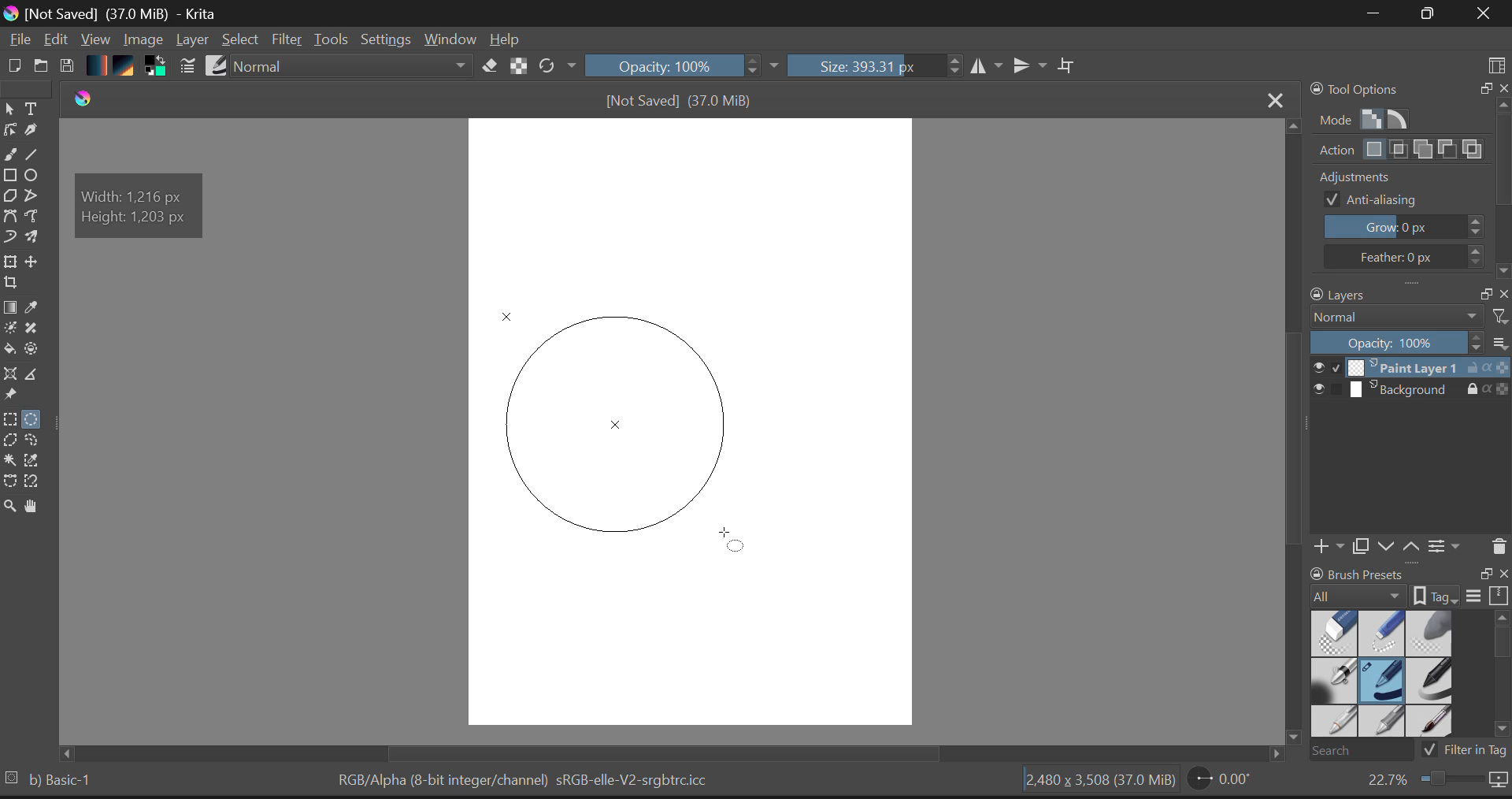  I want to click on Blending Mode, so click(351, 68).